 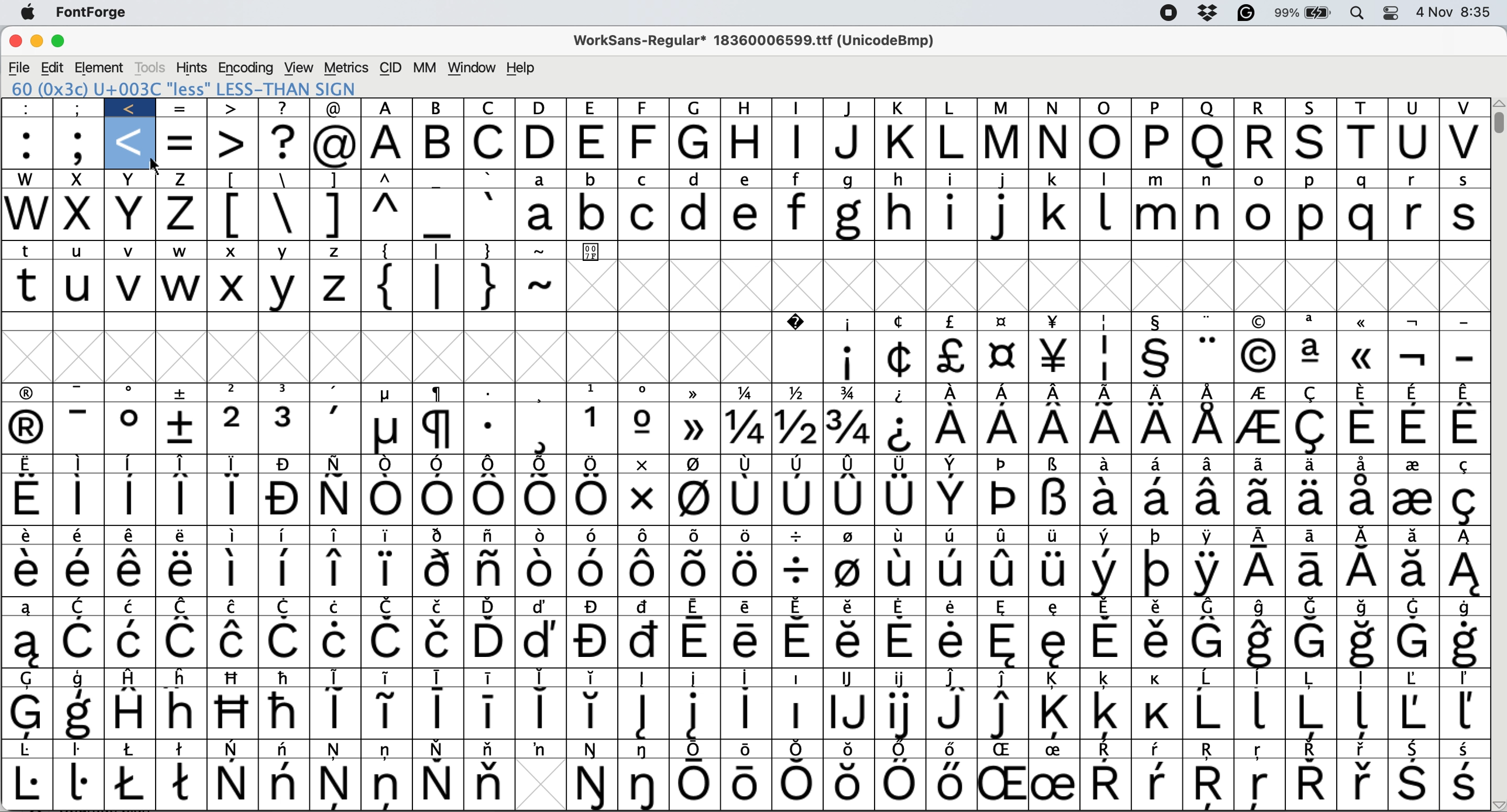 What do you see at coordinates (699, 785) in the screenshot?
I see `Symbol` at bounding box center [699, 785].